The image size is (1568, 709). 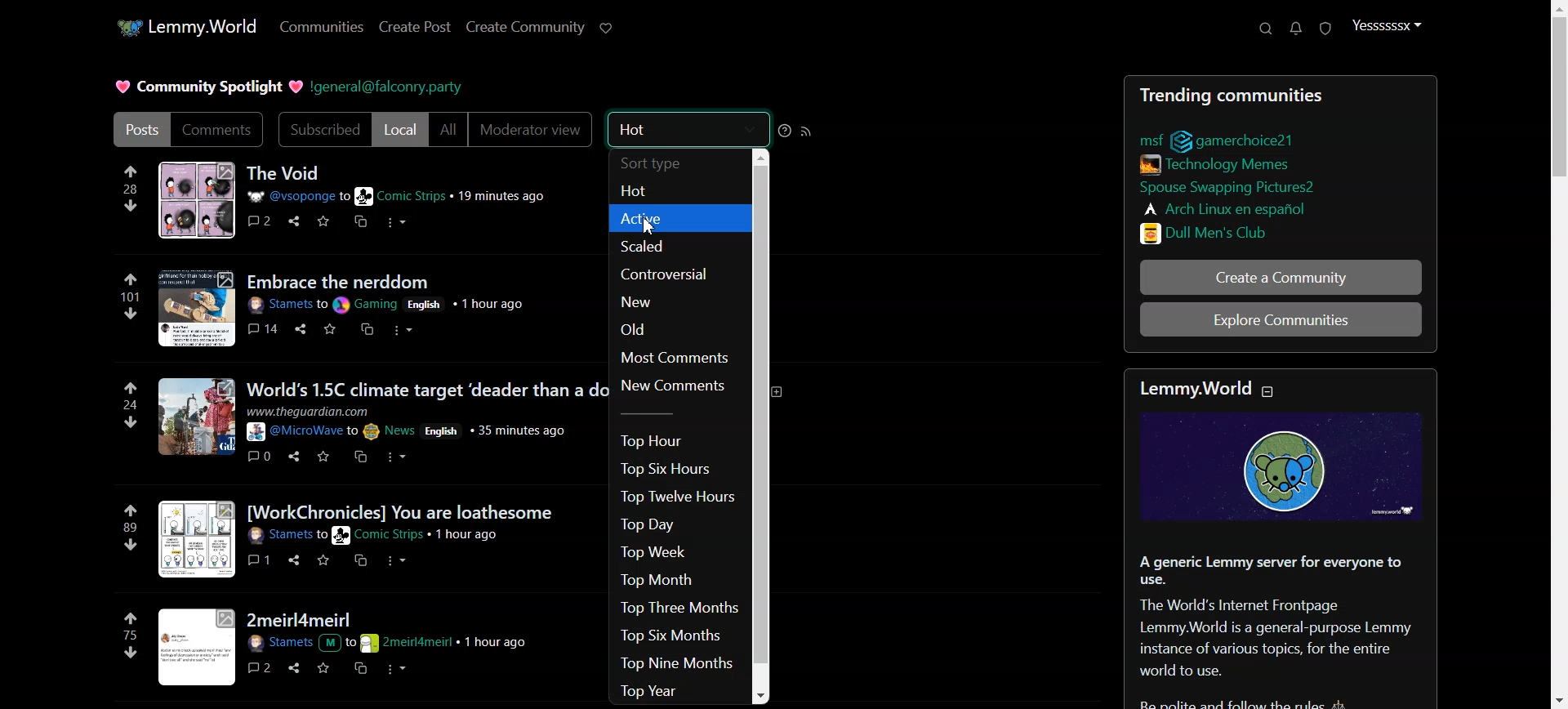 I want to click on Top Nine Months, so click(x=675, y=663).